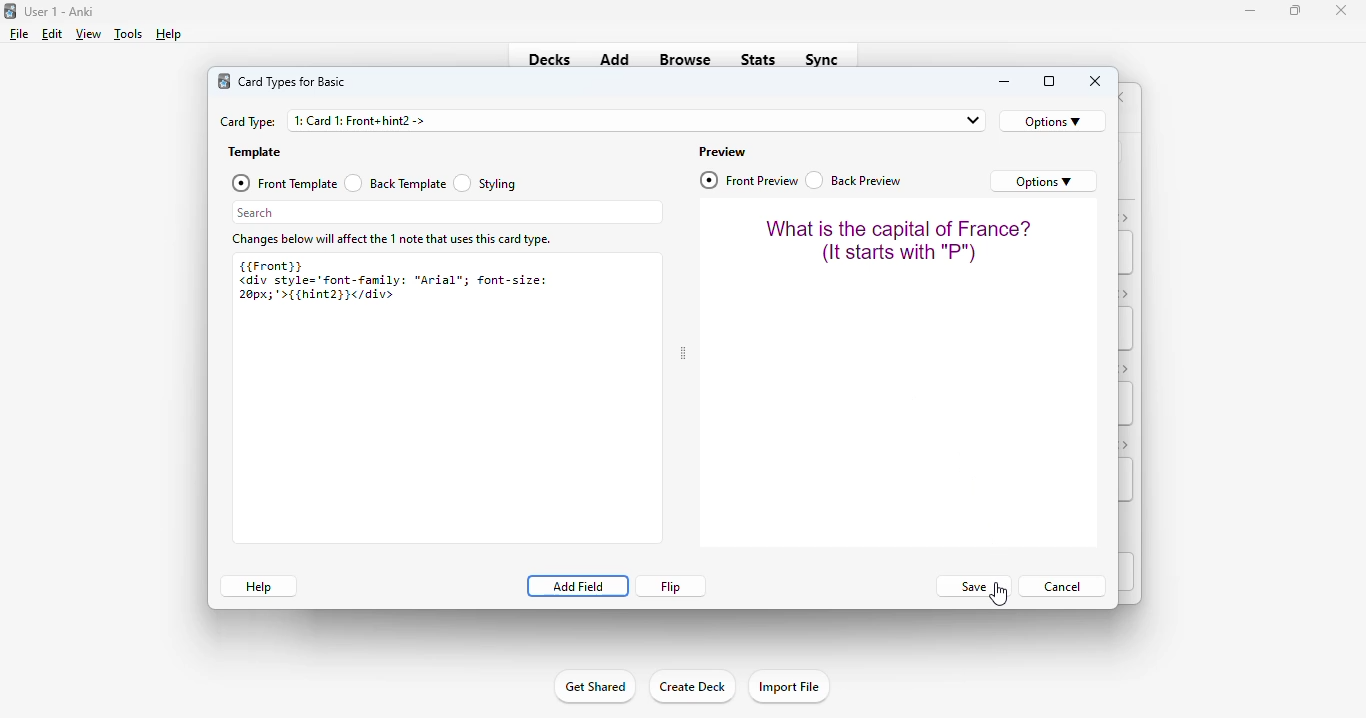  I want to click on hint2 code and format settings, so click(394, 288).